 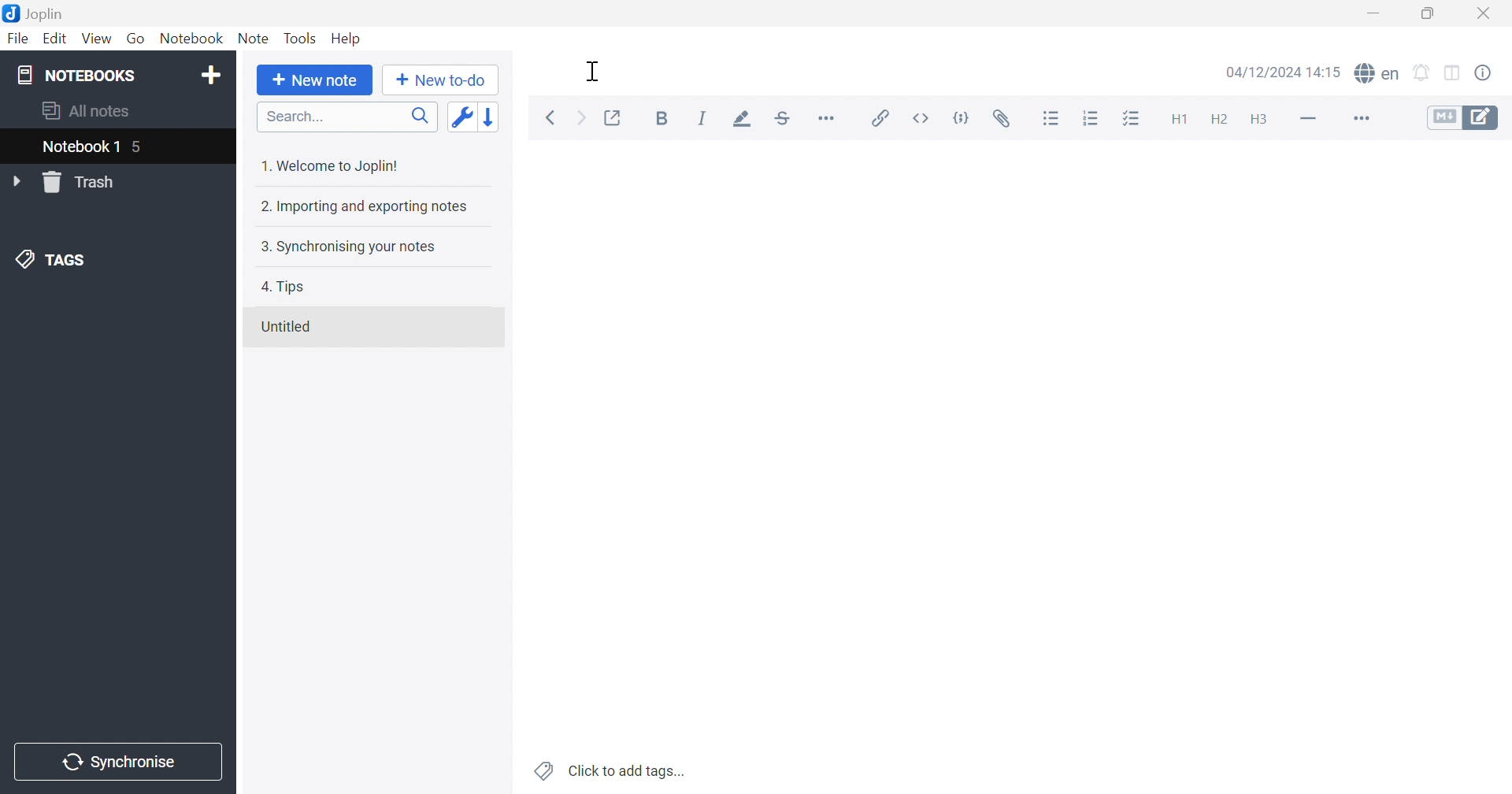 I want to click on 3. Synchronising your notes, so click(x=344, y=246).